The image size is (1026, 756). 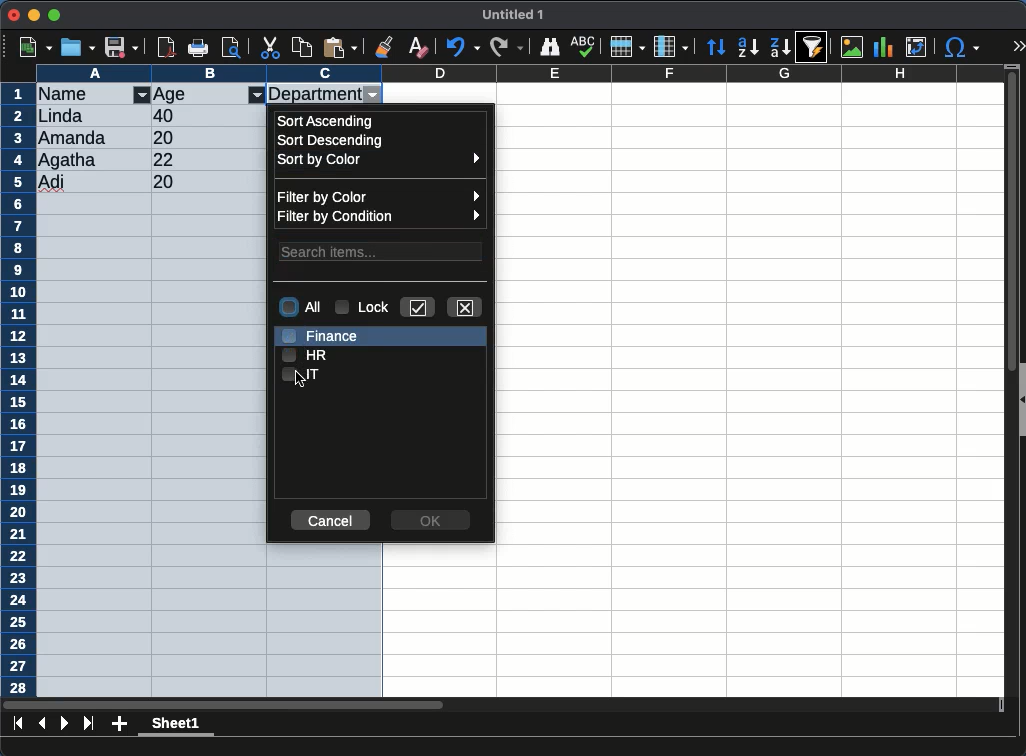 What do you see at coordinates (142, 96) in the screenshot?
I see `filter` at bounding box center [142, 96].